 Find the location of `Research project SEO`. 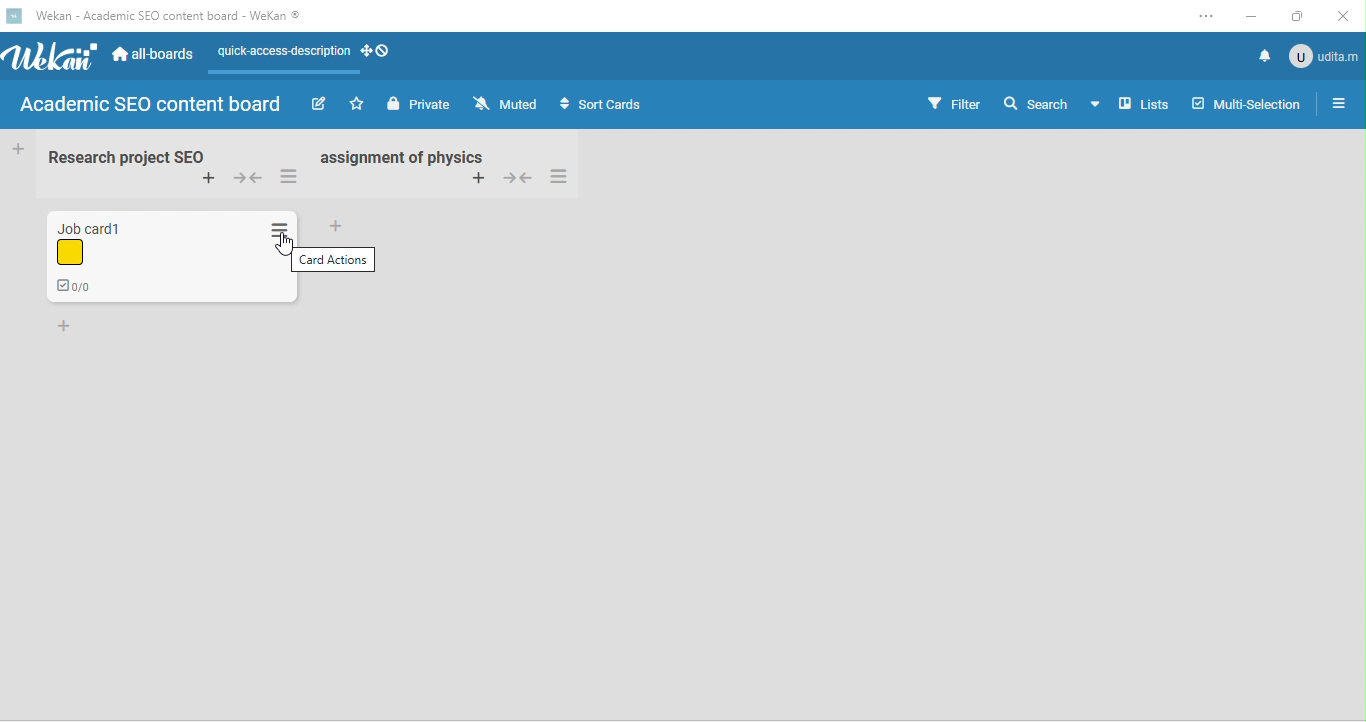

Research project SEO is located at coordinates (123, 157).